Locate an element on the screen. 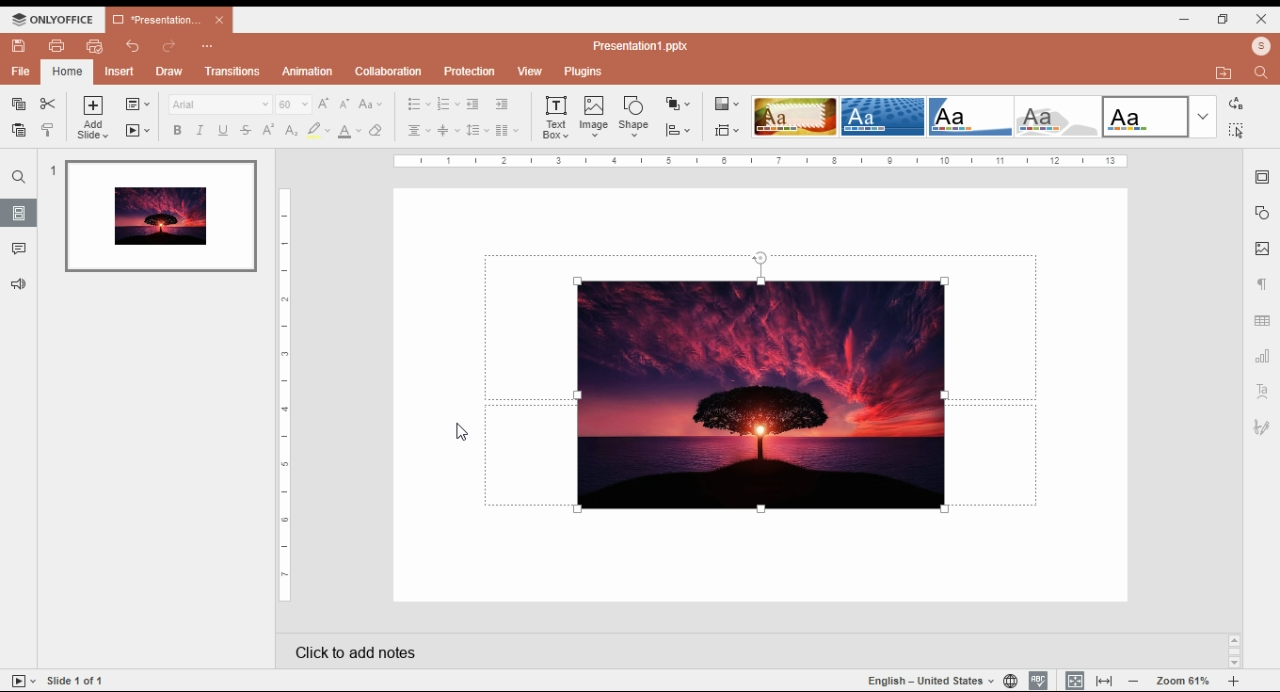 Image resolution: width=1280 pixels, height=692 pixels. quick print is located at coordinates (94, 45).